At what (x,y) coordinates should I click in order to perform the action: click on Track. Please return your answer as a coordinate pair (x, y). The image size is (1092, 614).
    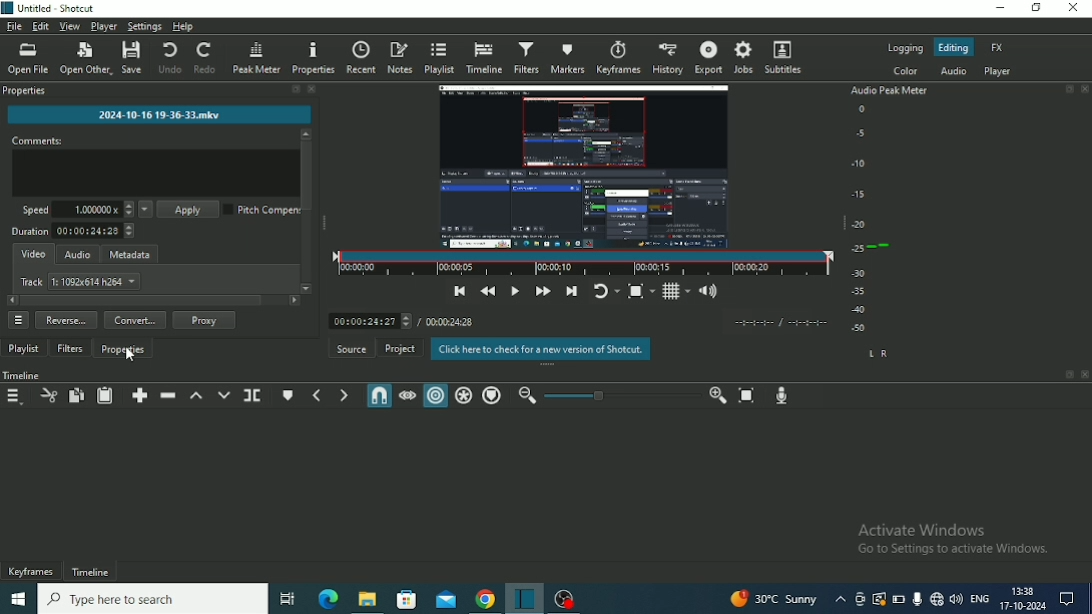
    Looking at the image, I should click on (83, 281).